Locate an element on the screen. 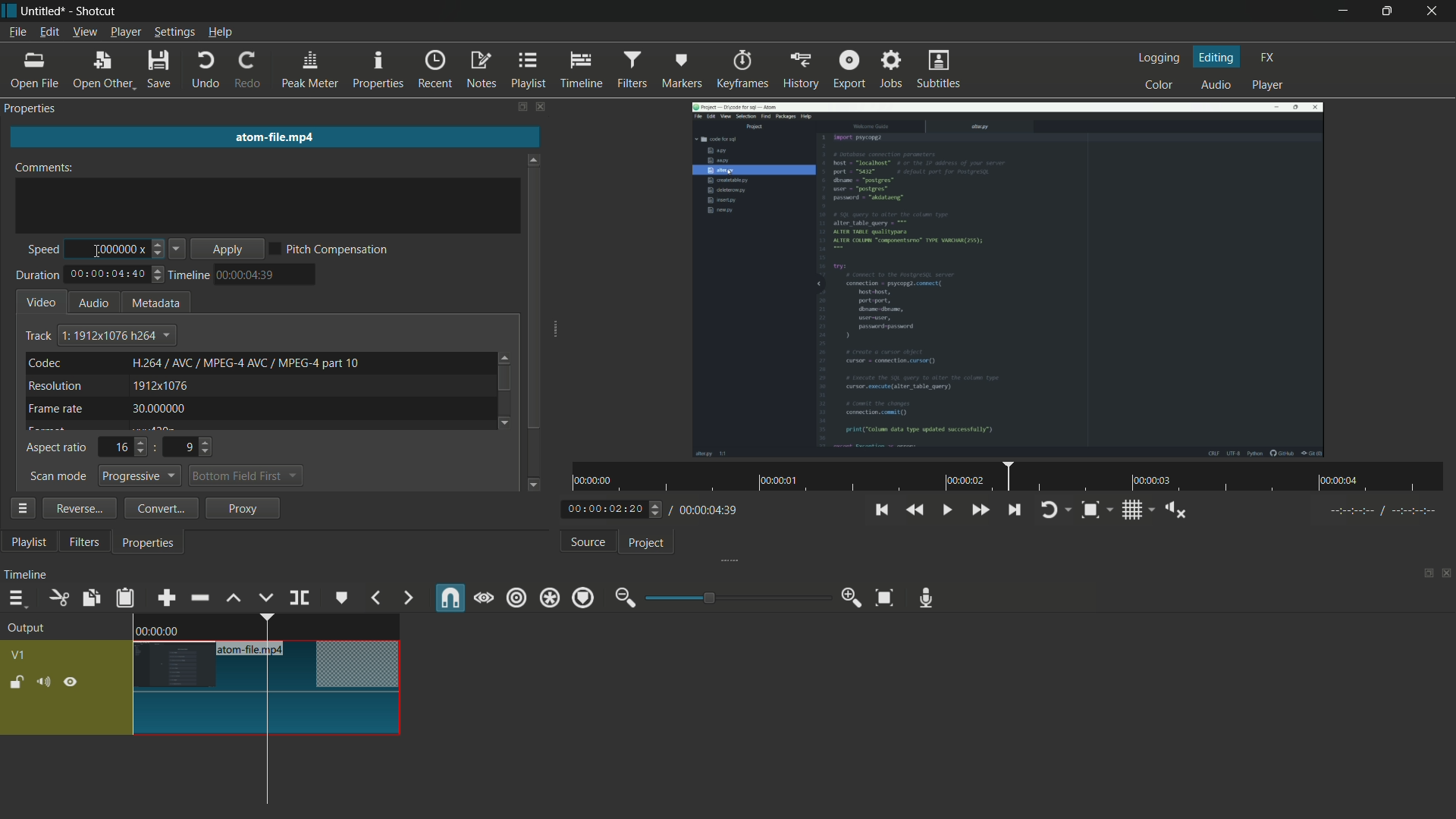 This screenshot has height=819, width=1456. lock is located at coordinates (17, 683).